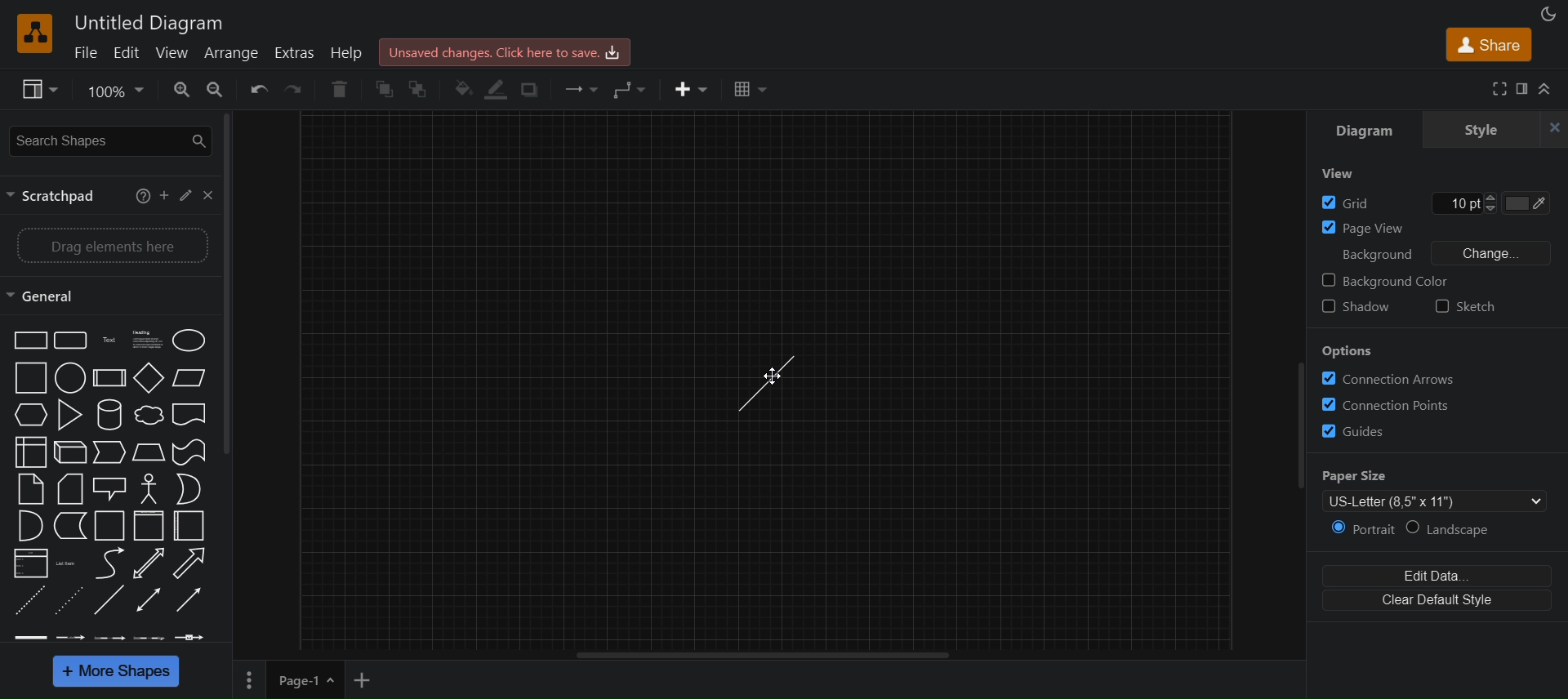 This screenshot has height=699, width=1568. Describe the element at coordinates (343, 87) in the screenshot. I see `delete` at that location.